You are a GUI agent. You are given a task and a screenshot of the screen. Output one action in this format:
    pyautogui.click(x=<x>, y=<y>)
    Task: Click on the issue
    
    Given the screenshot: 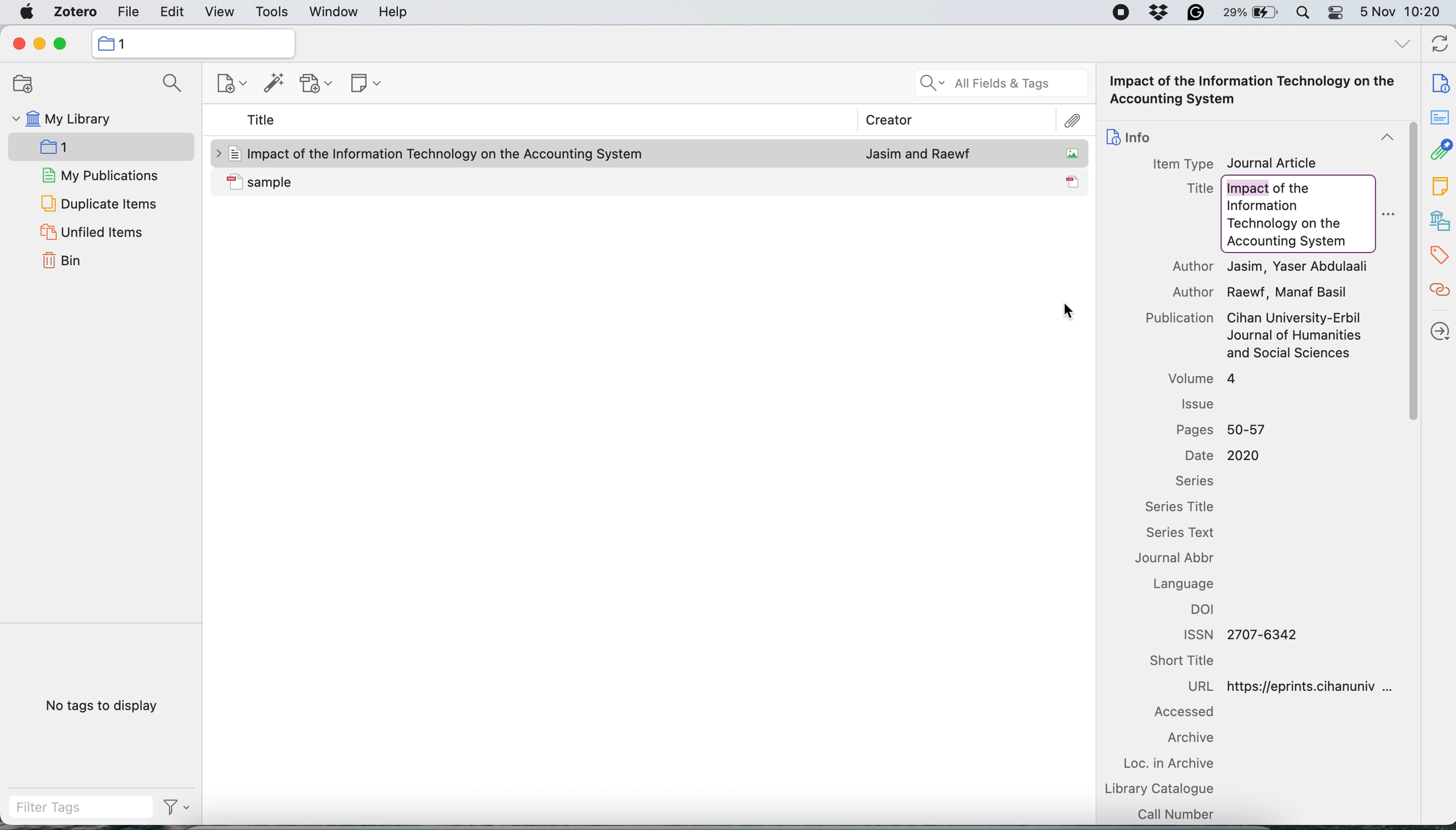 What is the action you would take?
    pyautogui.click(x=1198, y=404)
    